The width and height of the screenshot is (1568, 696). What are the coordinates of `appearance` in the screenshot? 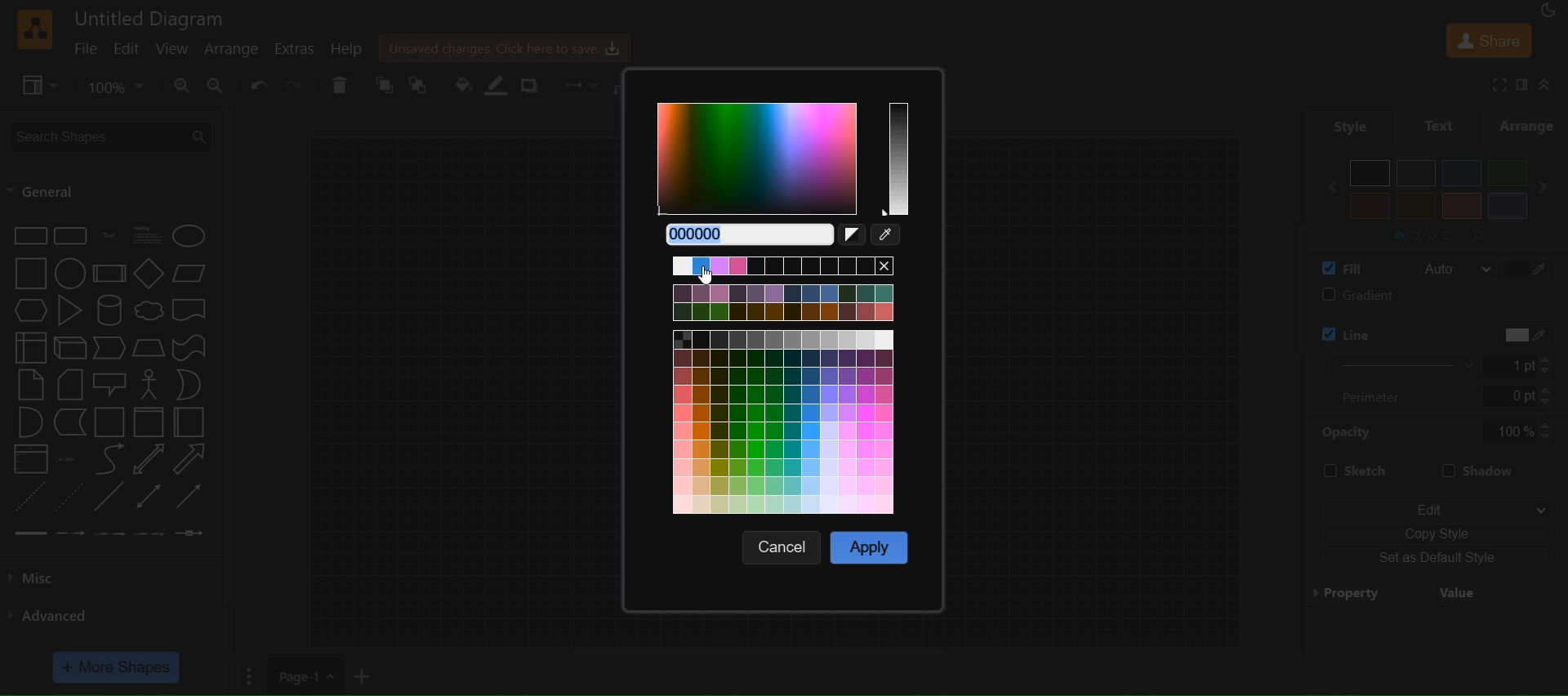 It's located at (1552, 12).